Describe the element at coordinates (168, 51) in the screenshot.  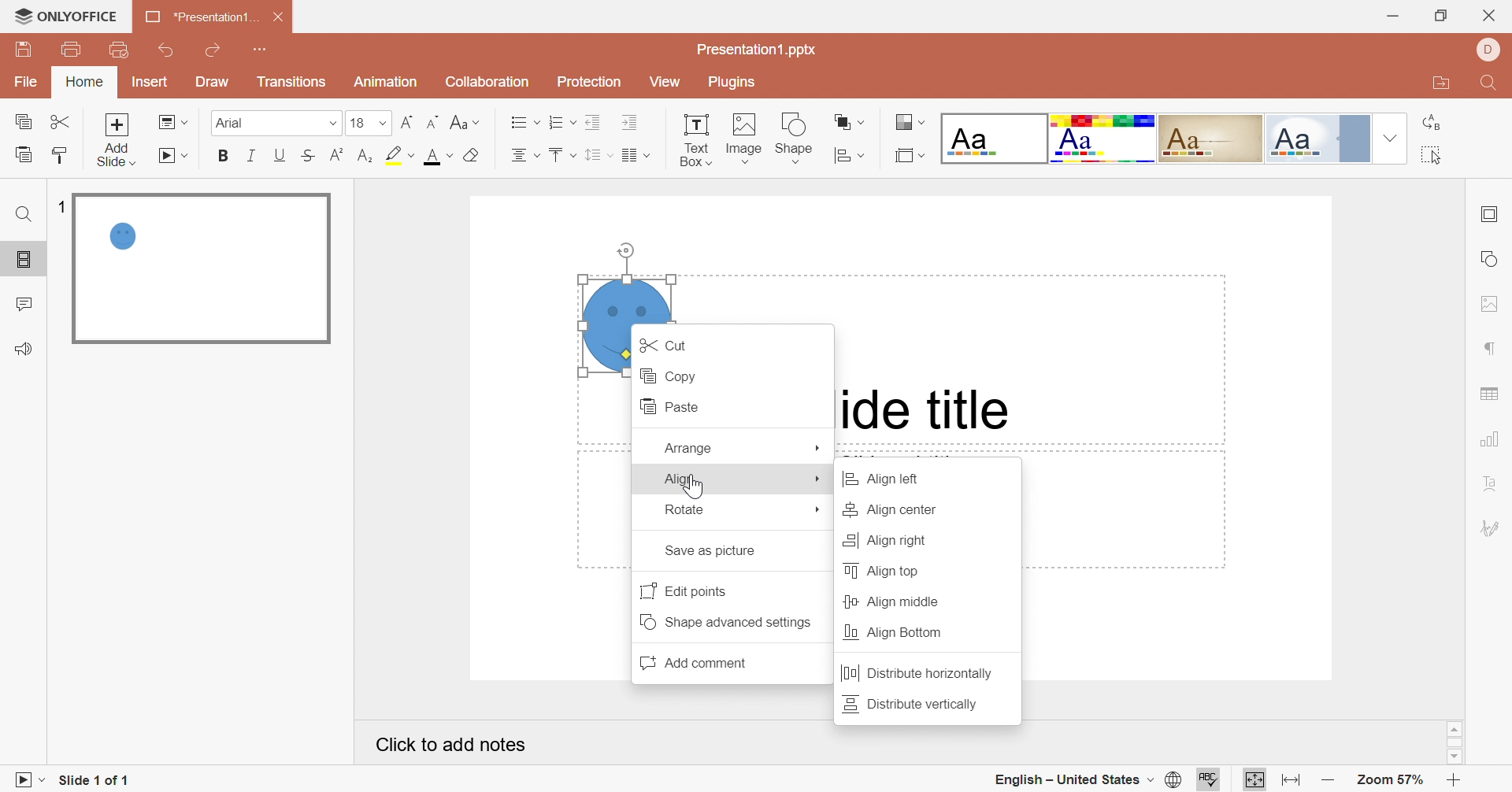
I see `Undo` at that location.